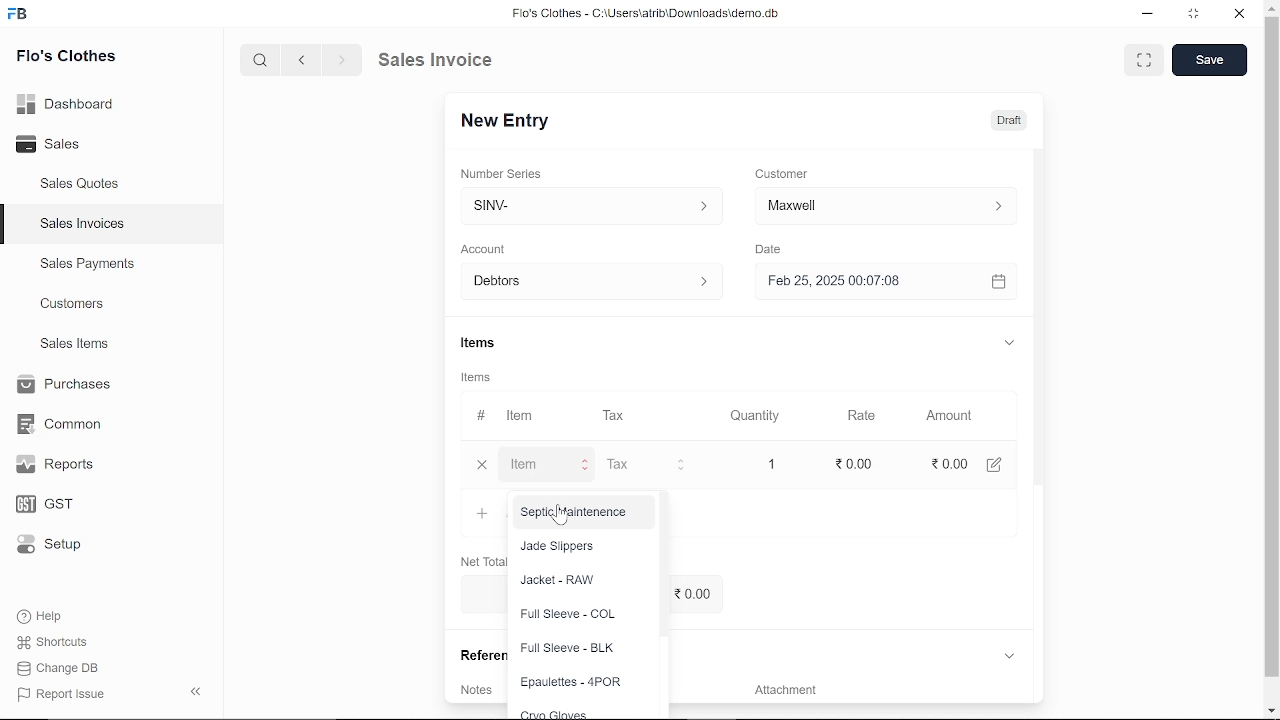 This screenshot has height=720, width=1280. Describe the element at coordinates (515, 122) in the screenshot. I see `New Entry` at that location.